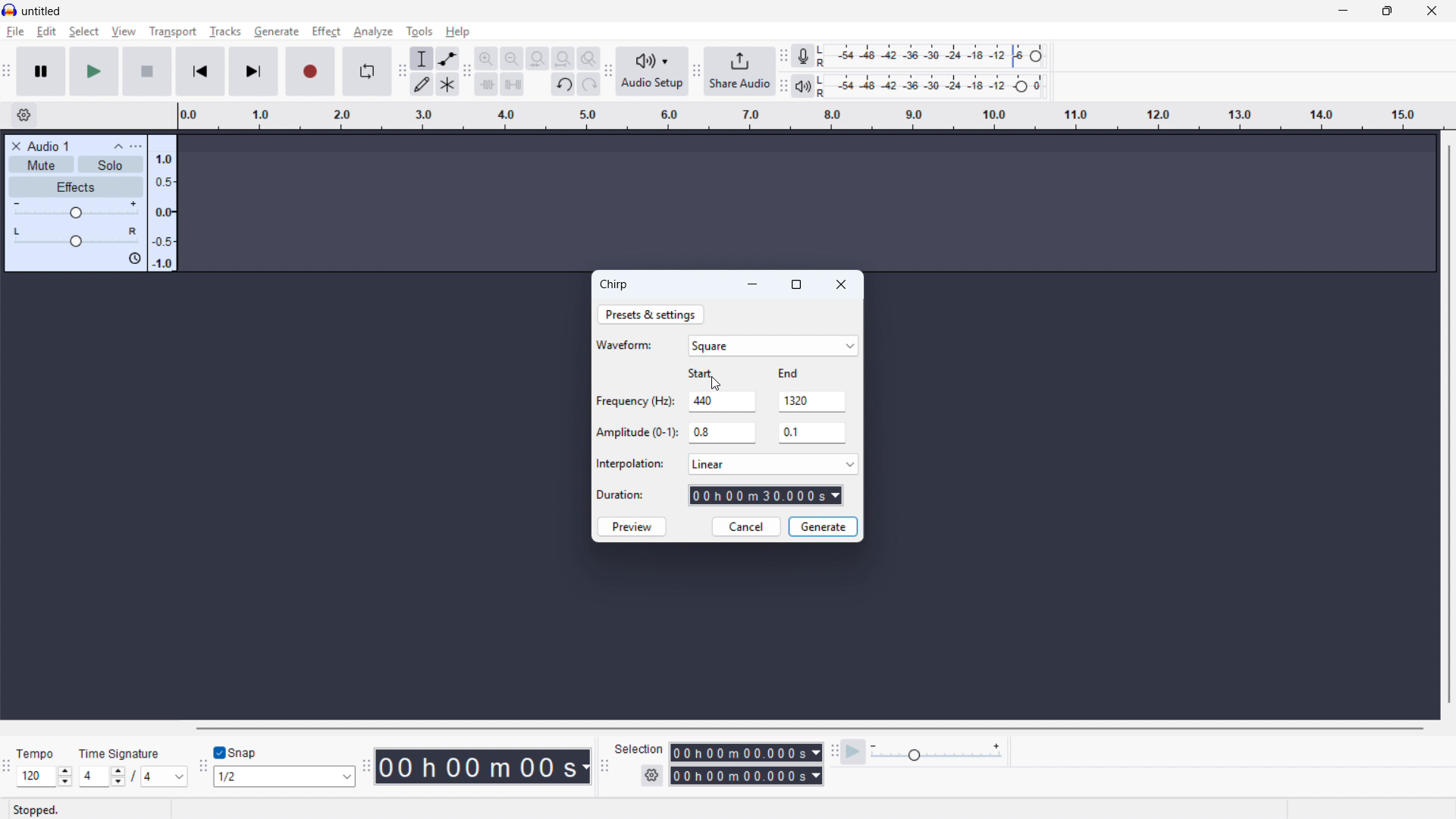  What do you see at coordinates (766, 495) in the screenshot?
I see `Duration ` at bounding box center [766, 495].